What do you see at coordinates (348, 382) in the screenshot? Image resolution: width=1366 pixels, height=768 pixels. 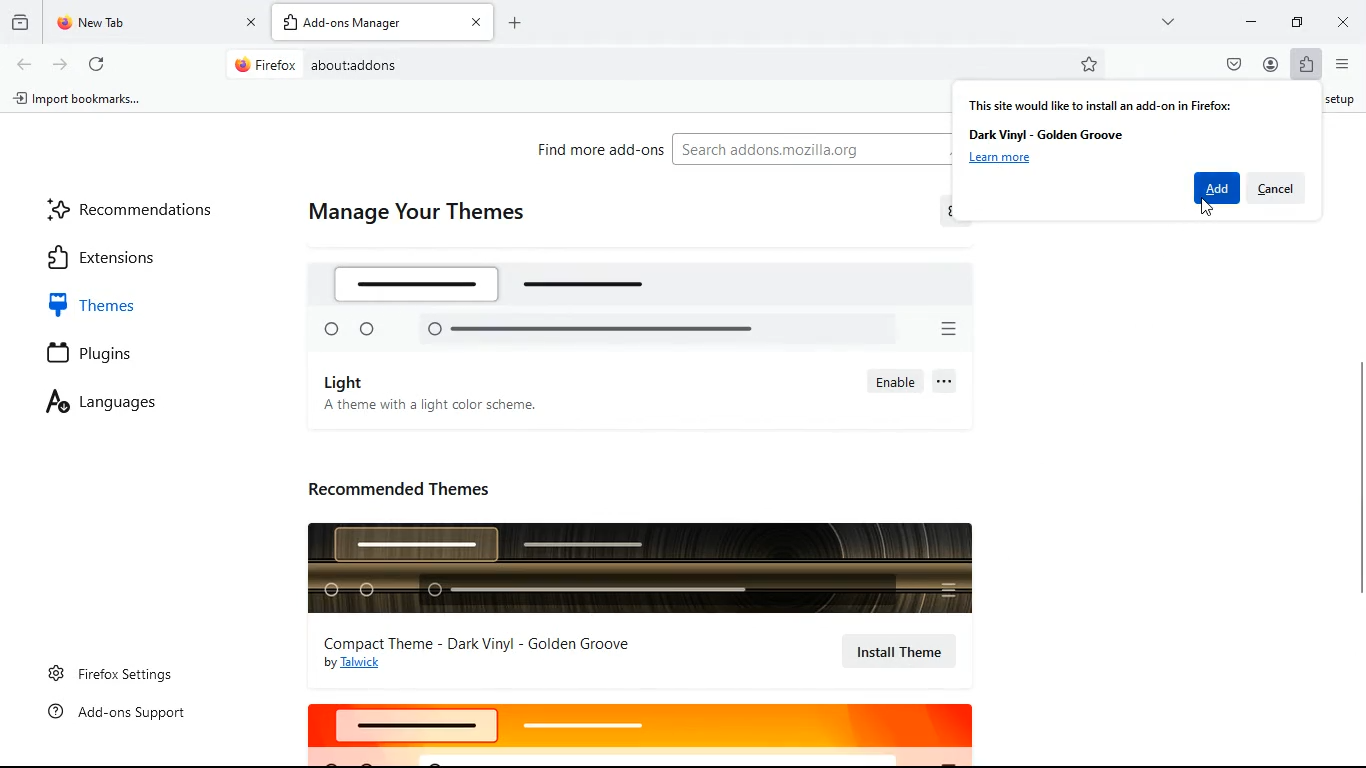 I see `light` at bounding box center [348, 382].